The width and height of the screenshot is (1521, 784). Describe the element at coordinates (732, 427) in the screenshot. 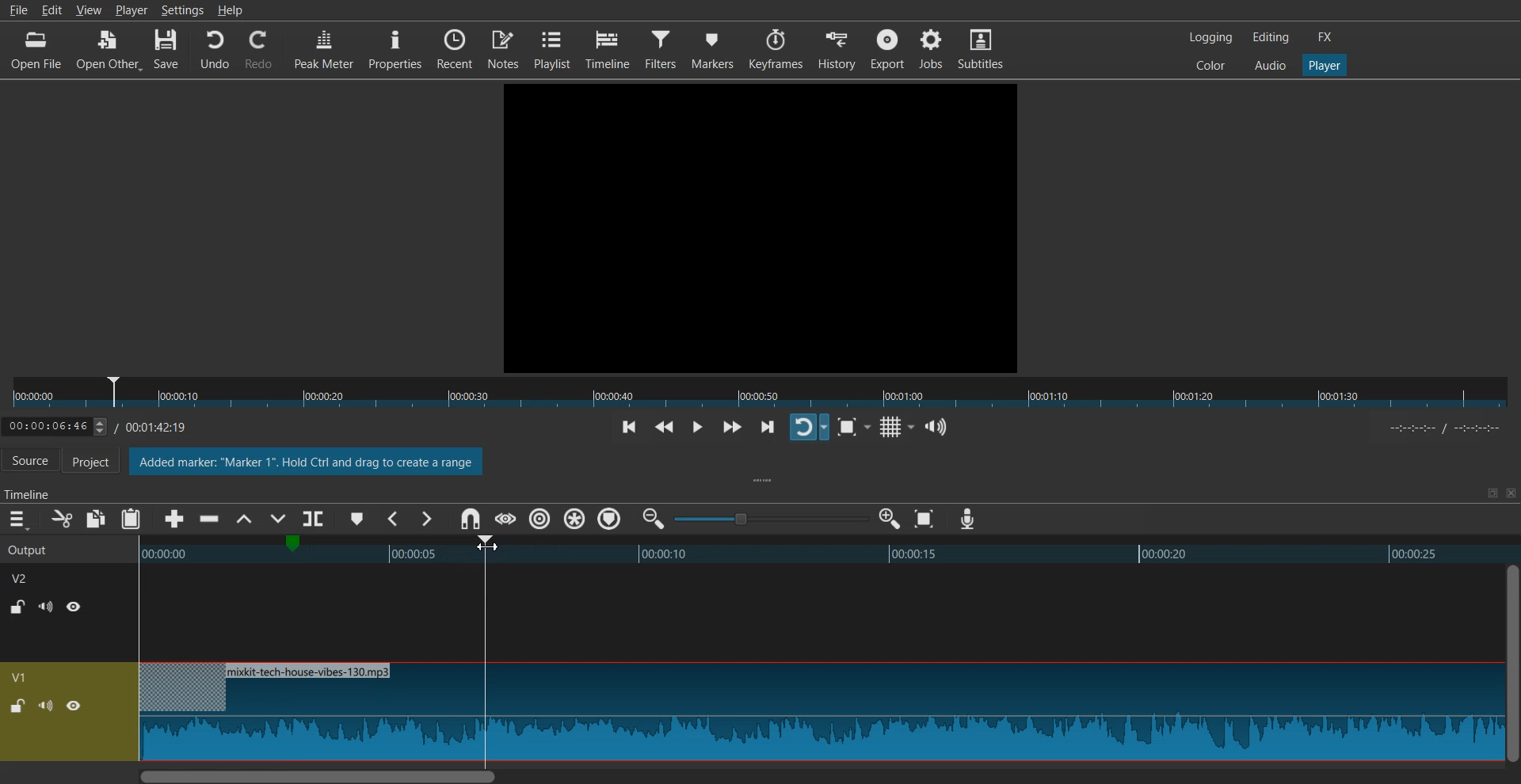

I see `Play quickly forwards` at that location.